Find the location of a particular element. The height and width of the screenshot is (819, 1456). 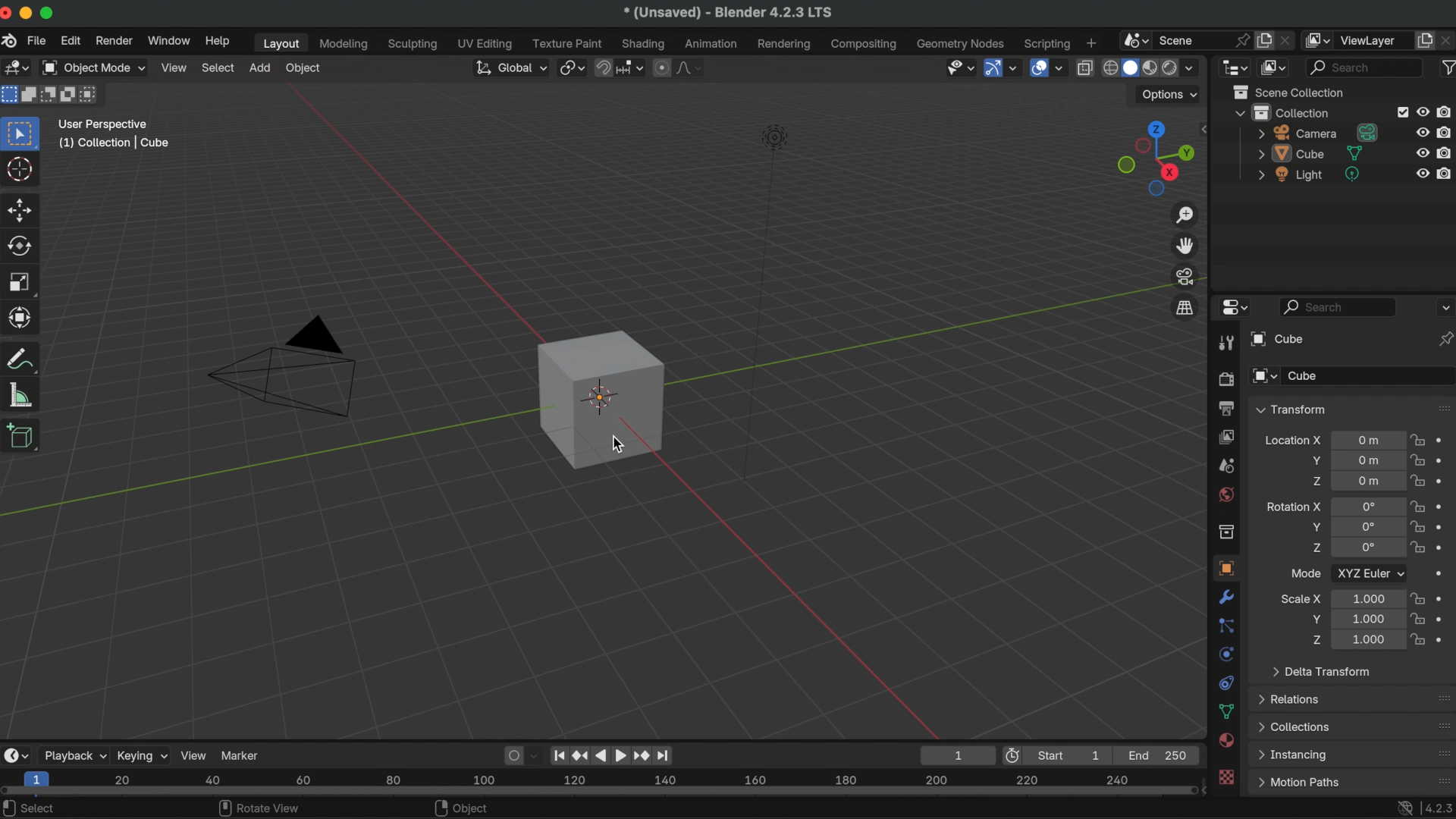

collections is located at coordinates (1295, 726).